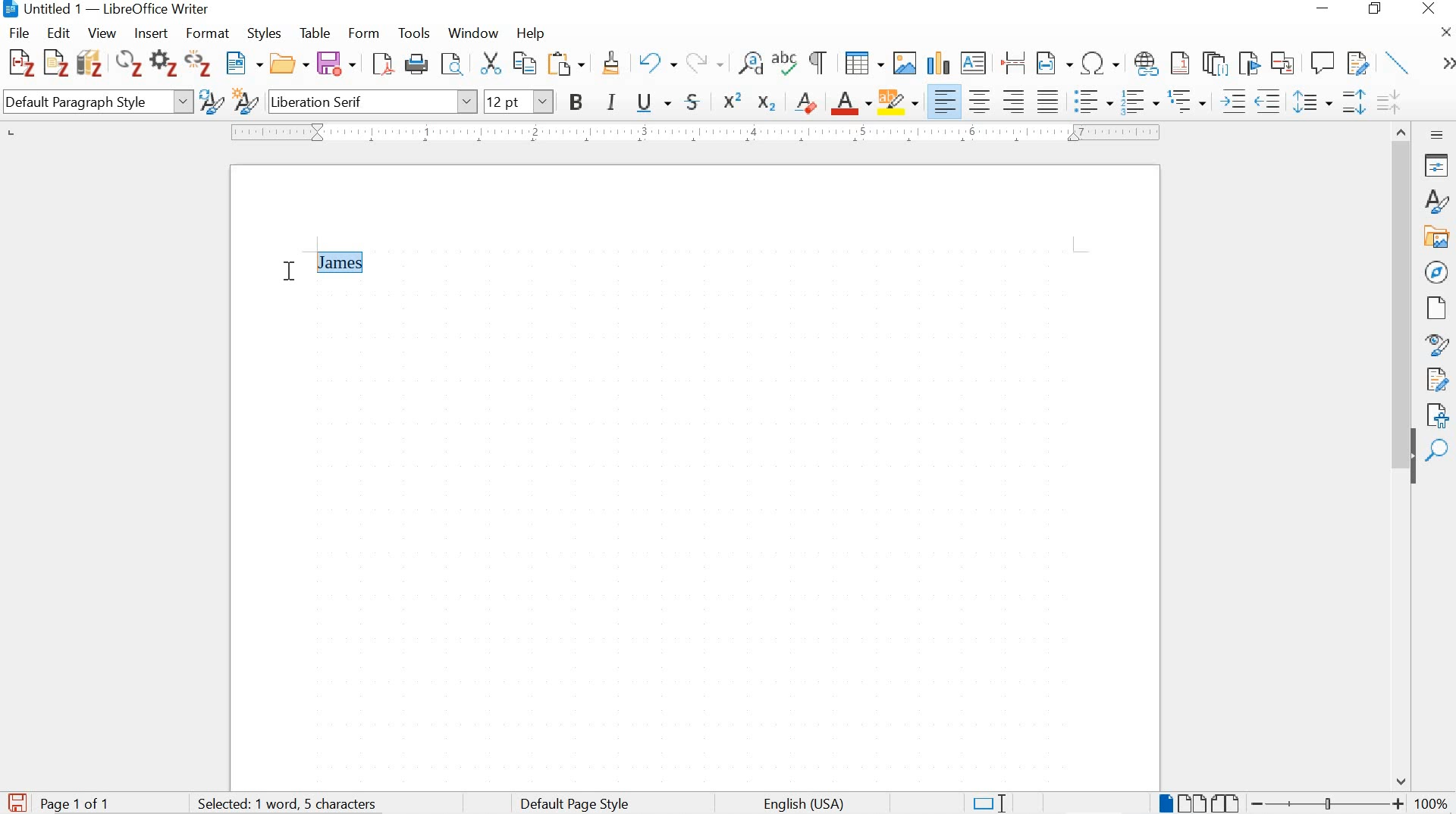 This screenshot has width=1456, height=814. I want to click on find, so click(1439, 452).